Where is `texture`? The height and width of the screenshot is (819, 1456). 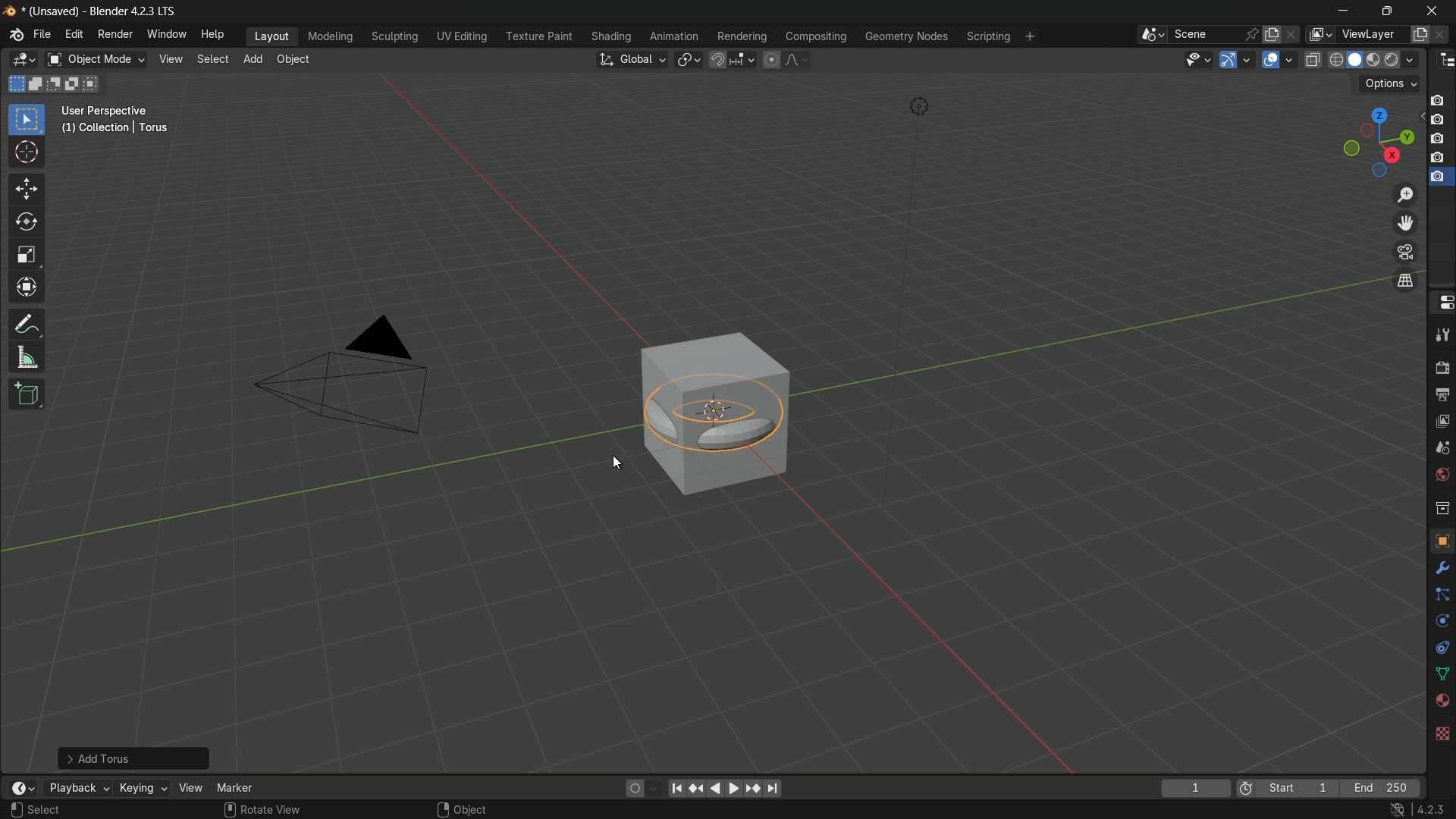 texture is located at coordinates (1442, 733).